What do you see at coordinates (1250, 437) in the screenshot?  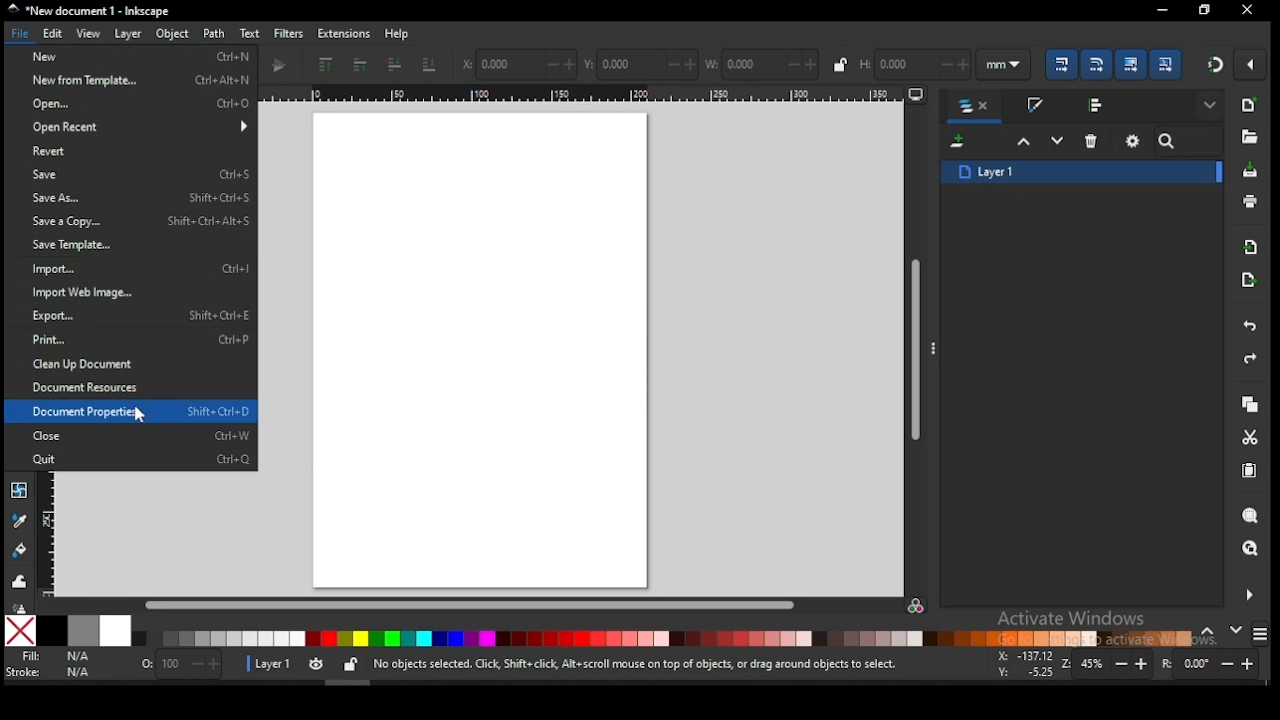 I see `cut` at bounding box center [1250, 437].